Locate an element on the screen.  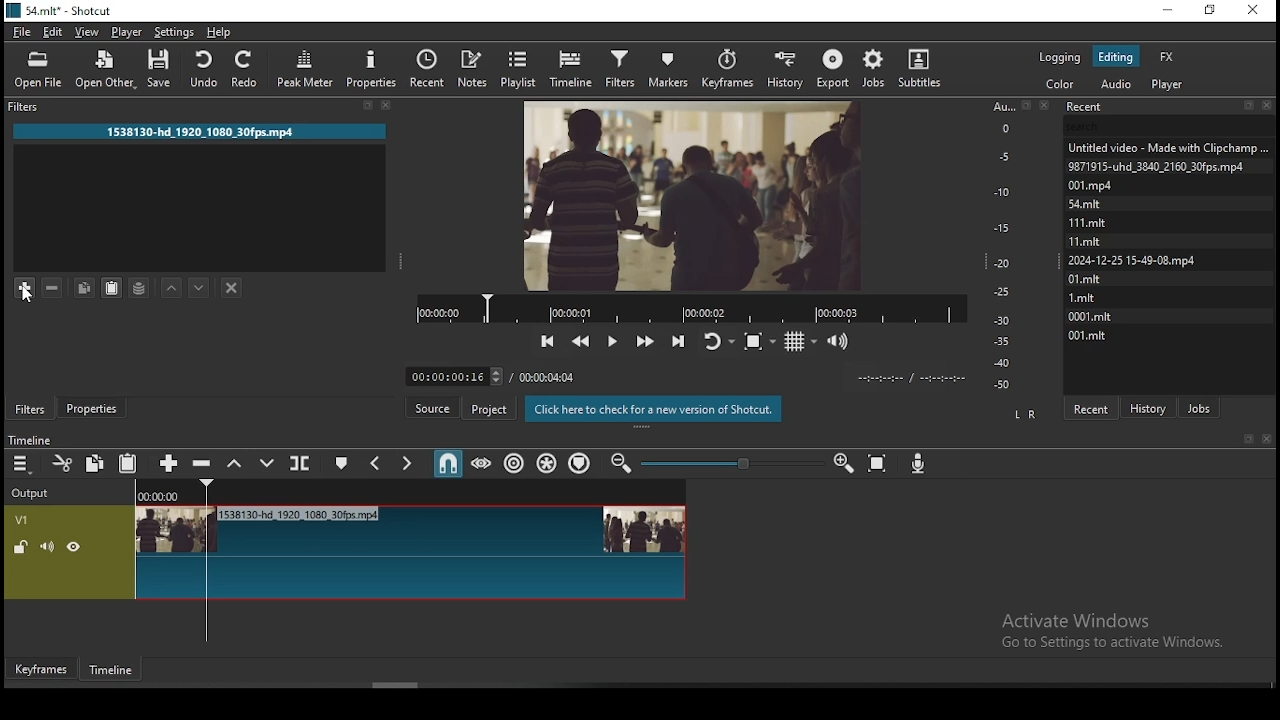
9871915-uhd_3840_2160_30fps.mp4 is located at coordinates (1158, 165).